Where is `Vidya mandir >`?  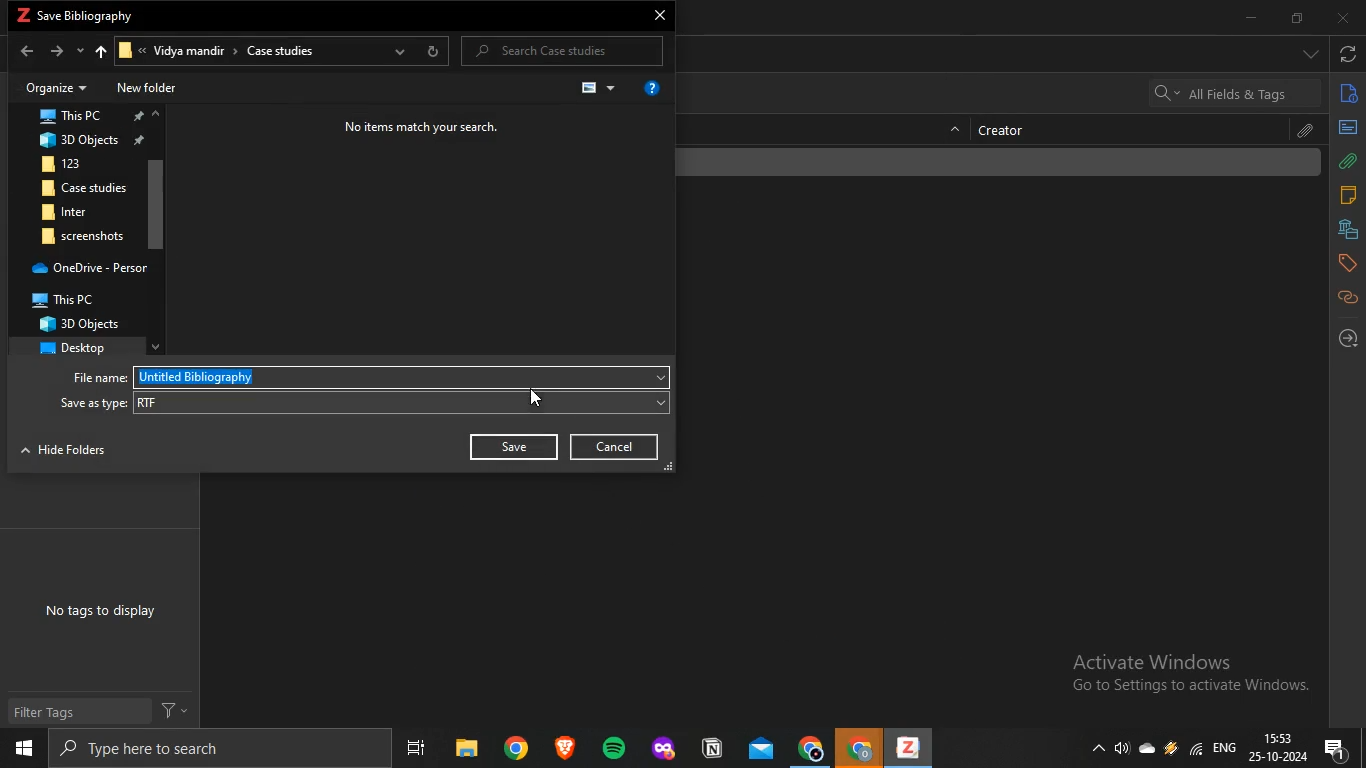 Vidya mandir > is located at coordinates (177, 50).